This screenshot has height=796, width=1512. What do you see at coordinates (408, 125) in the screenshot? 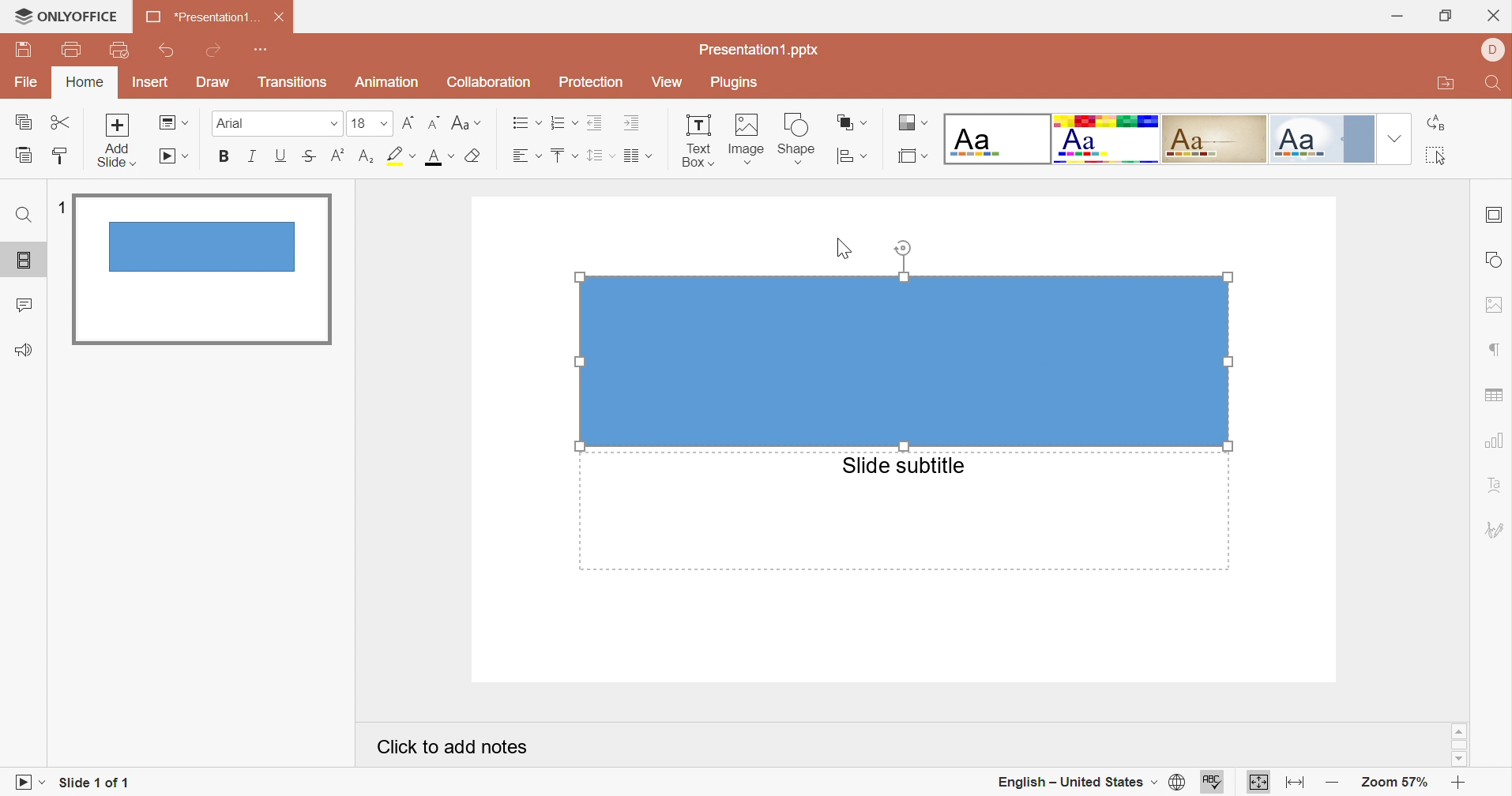
I see `Increment font size` at bounding box center [408, 125].